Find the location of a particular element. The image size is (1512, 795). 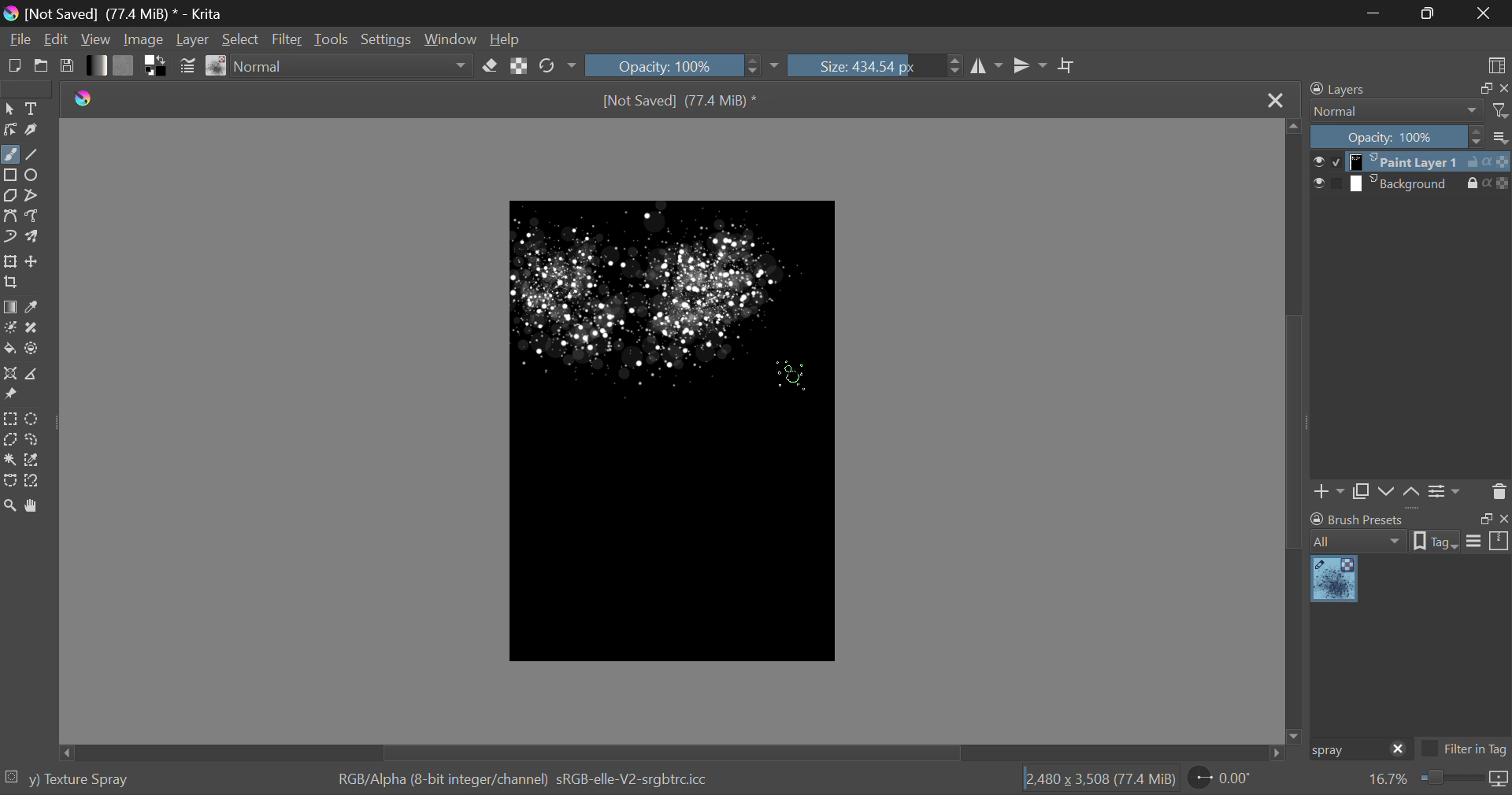

Save is located at coordinates (65, 65).